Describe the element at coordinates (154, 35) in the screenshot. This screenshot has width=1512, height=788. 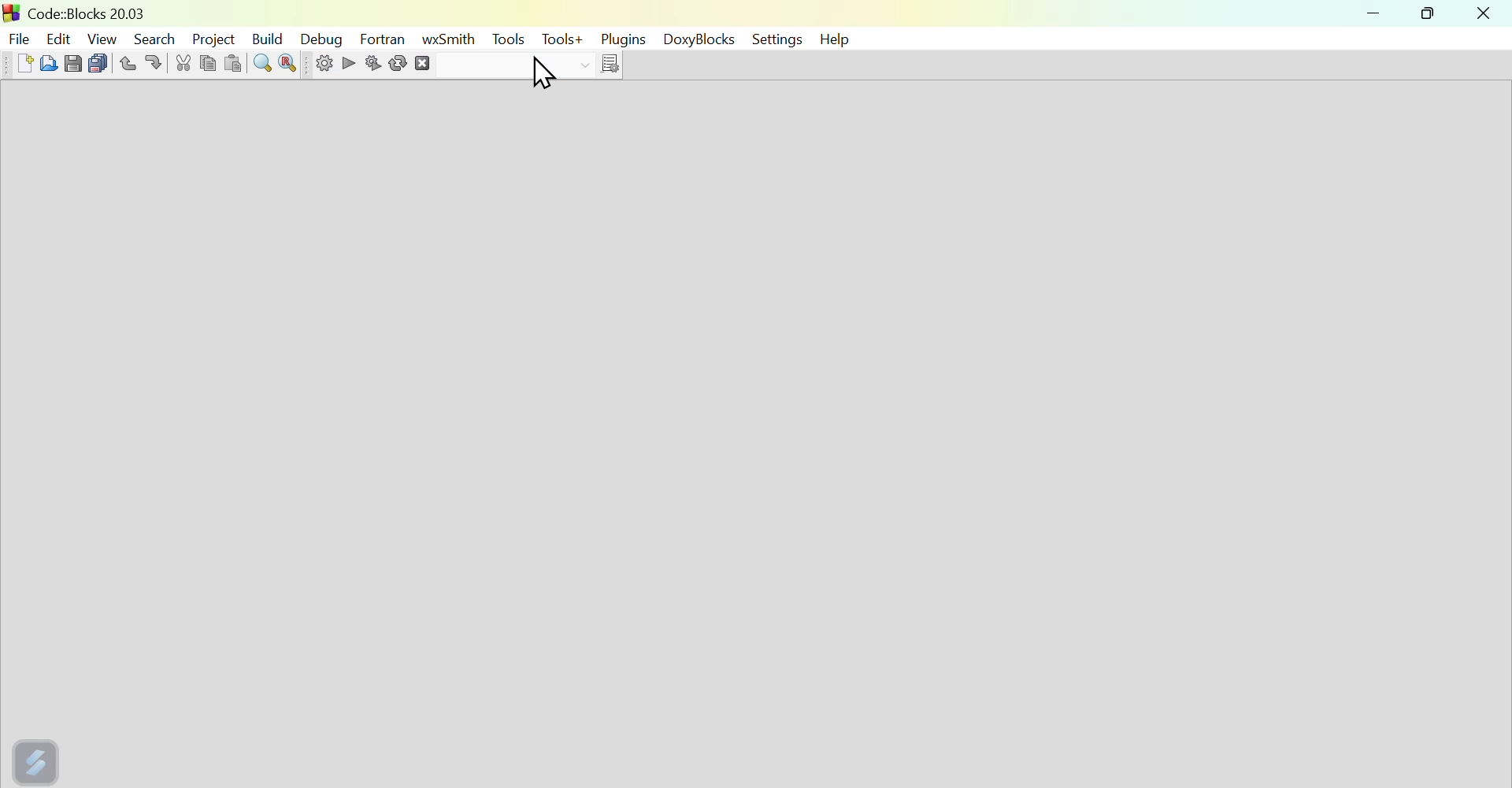
I see `Search` at that location.